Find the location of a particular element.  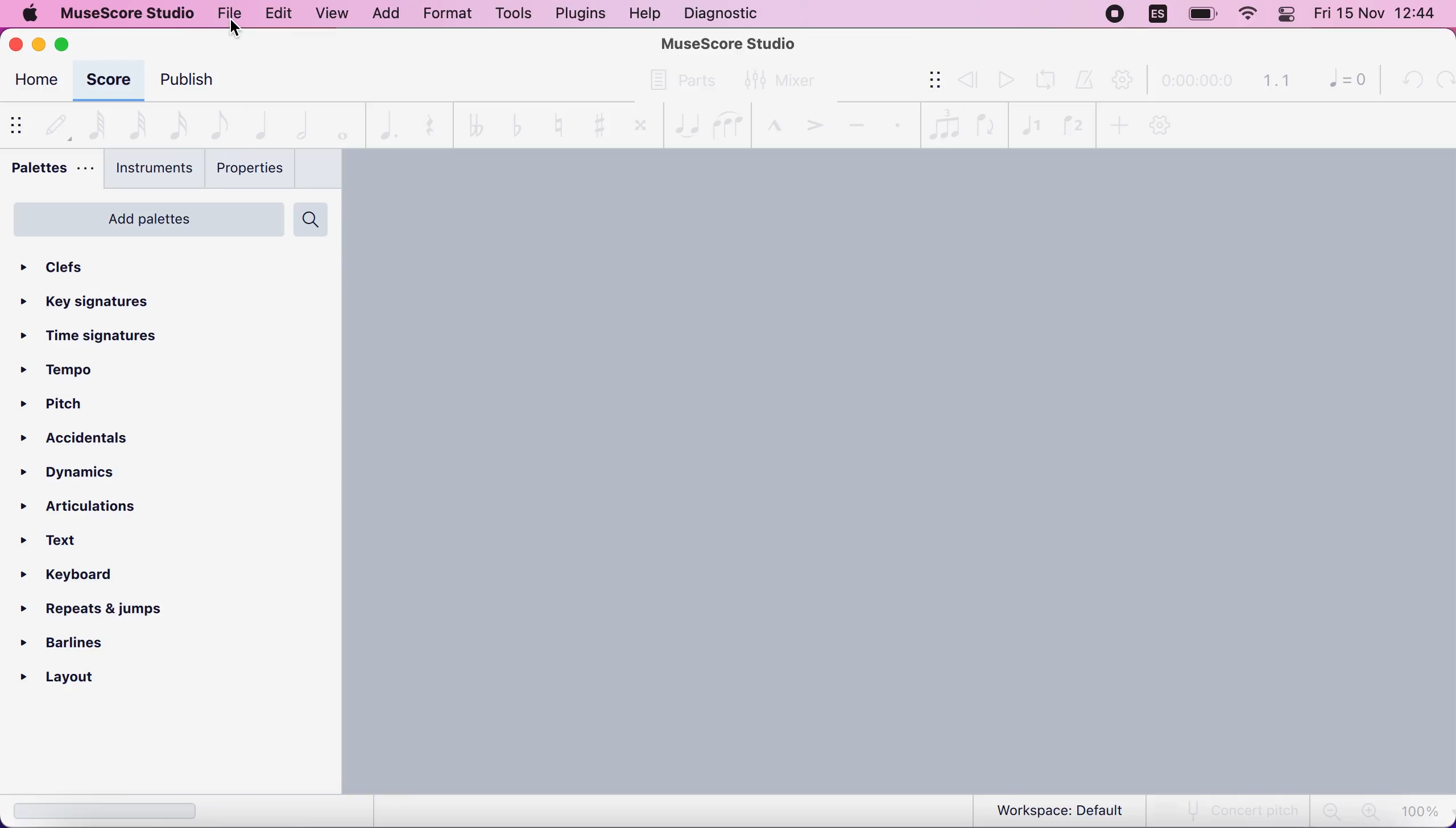

default is located at coordinates (56, 122).